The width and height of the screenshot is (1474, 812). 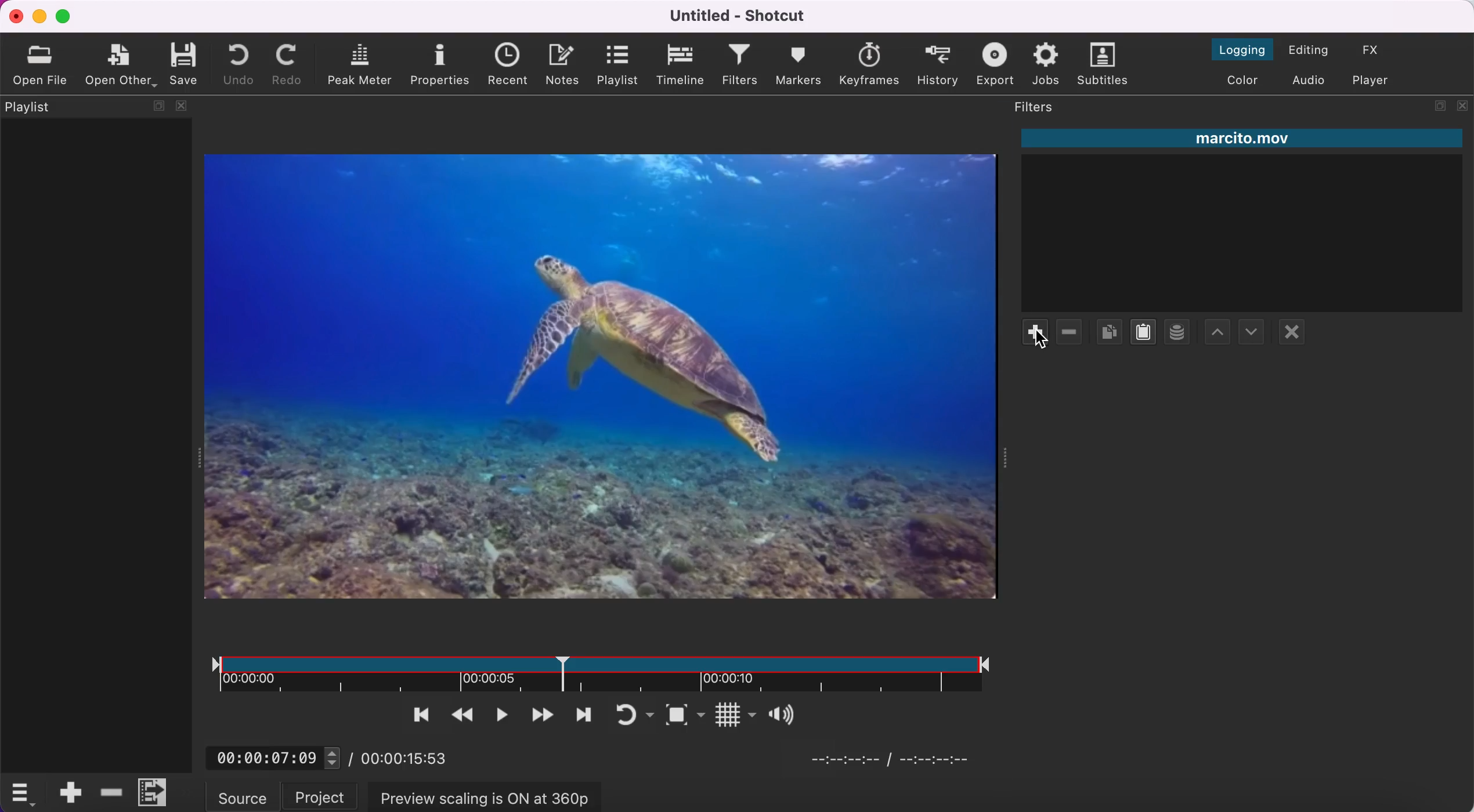 What do you see at coordinates (868, 61) in the screenshot?
I see `keyframes` at bounding box center [868, 61].